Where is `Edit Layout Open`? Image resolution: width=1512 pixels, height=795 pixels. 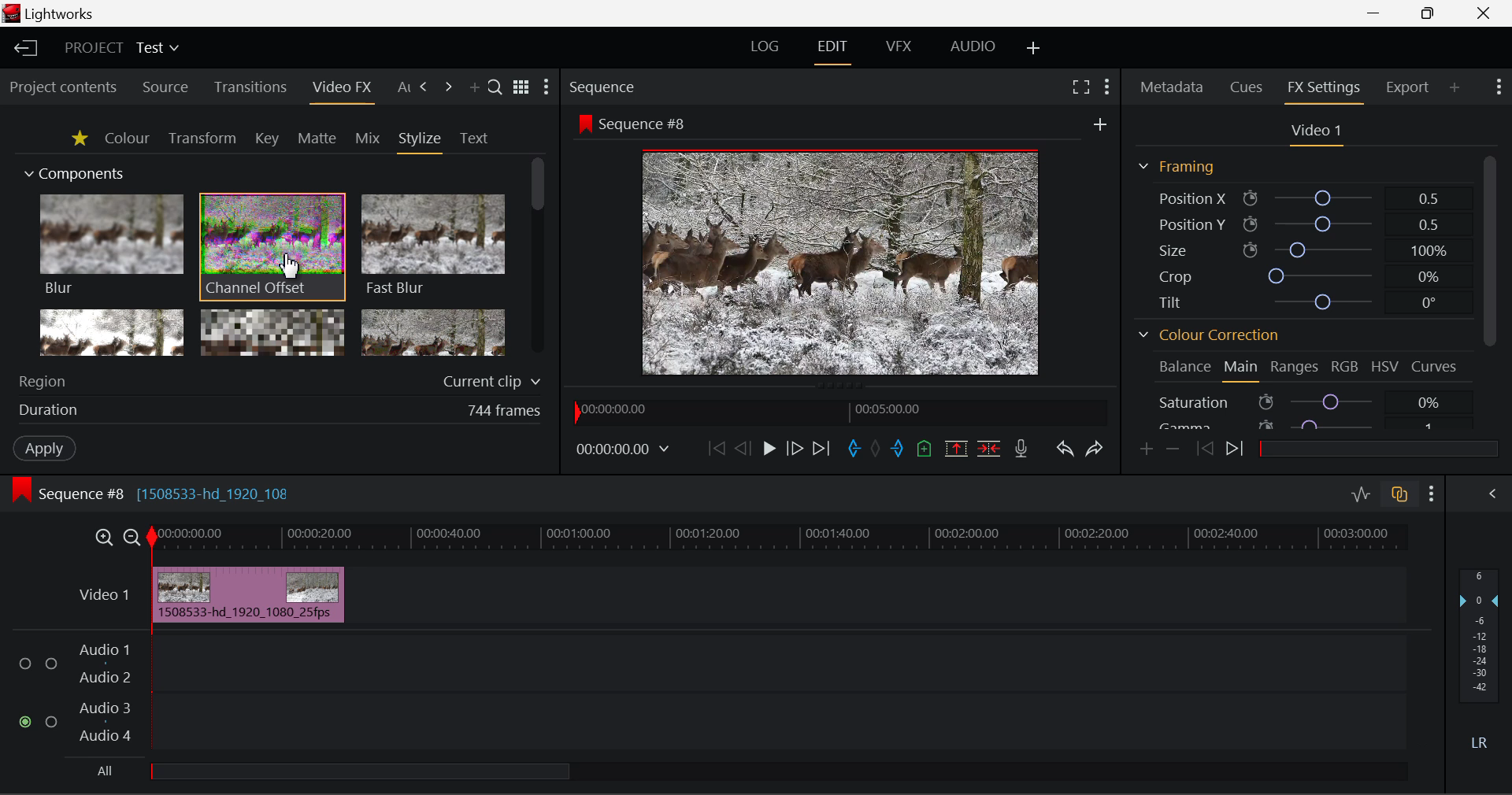 Edit Layout Open is located at coordinates (832, 52).